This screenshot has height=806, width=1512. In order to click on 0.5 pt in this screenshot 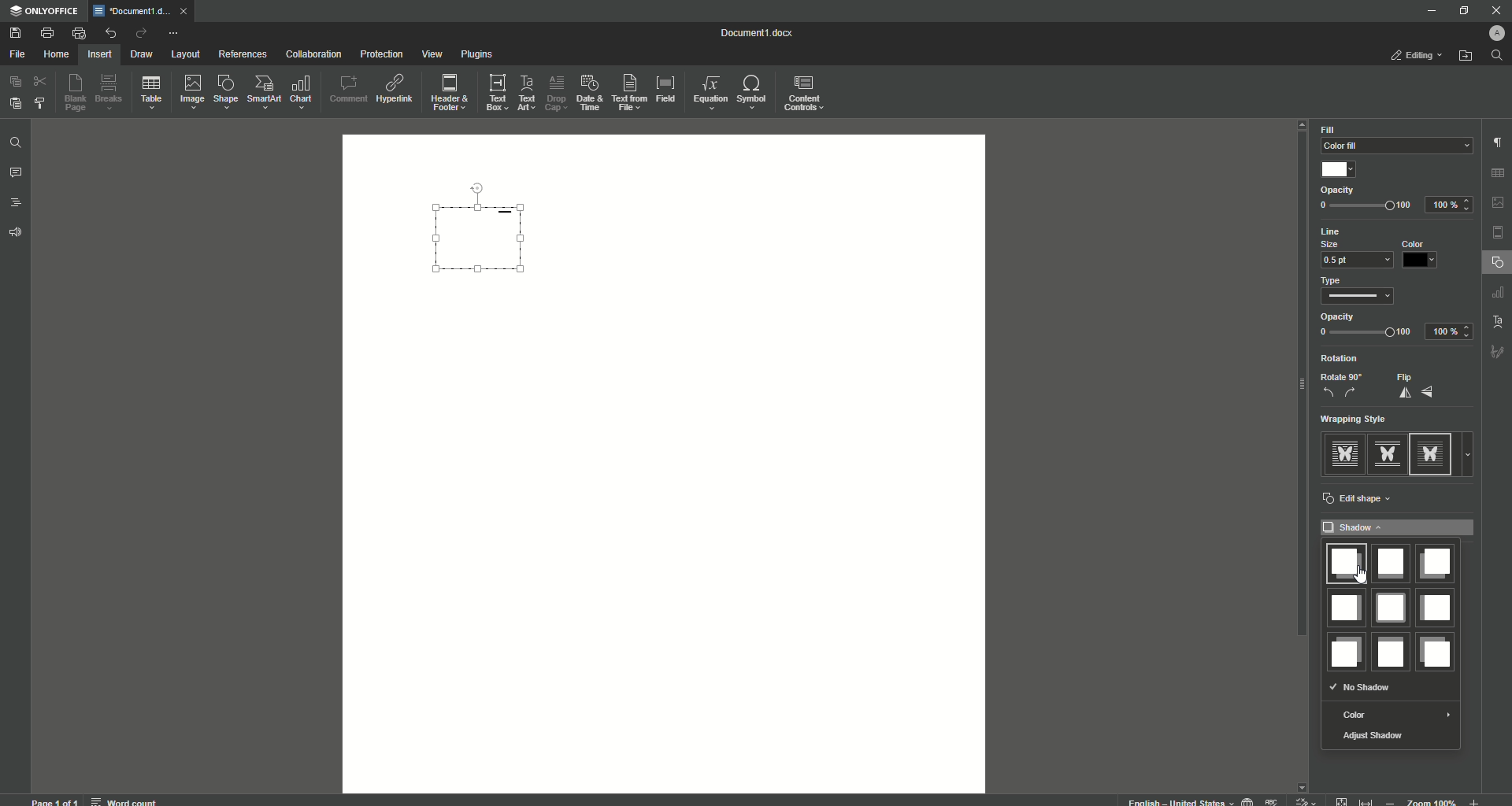, I will do `click(1354, 261)`.